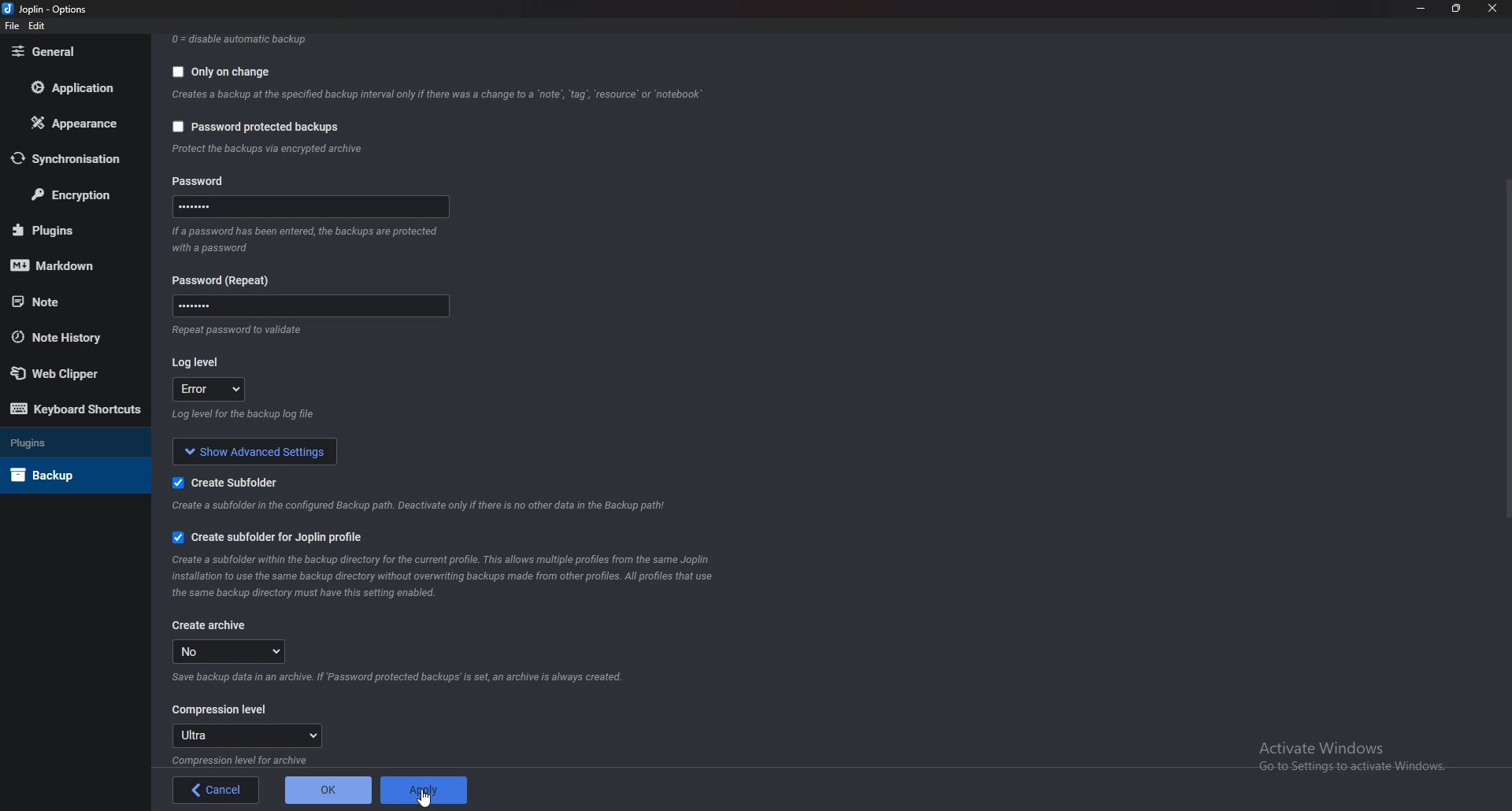 Image resolution: width=1512 pixels, height=811 pixels. What do you see at coordinates (39, 26) in the screenshot?
I see `edit` at bounding box center [39, 26].